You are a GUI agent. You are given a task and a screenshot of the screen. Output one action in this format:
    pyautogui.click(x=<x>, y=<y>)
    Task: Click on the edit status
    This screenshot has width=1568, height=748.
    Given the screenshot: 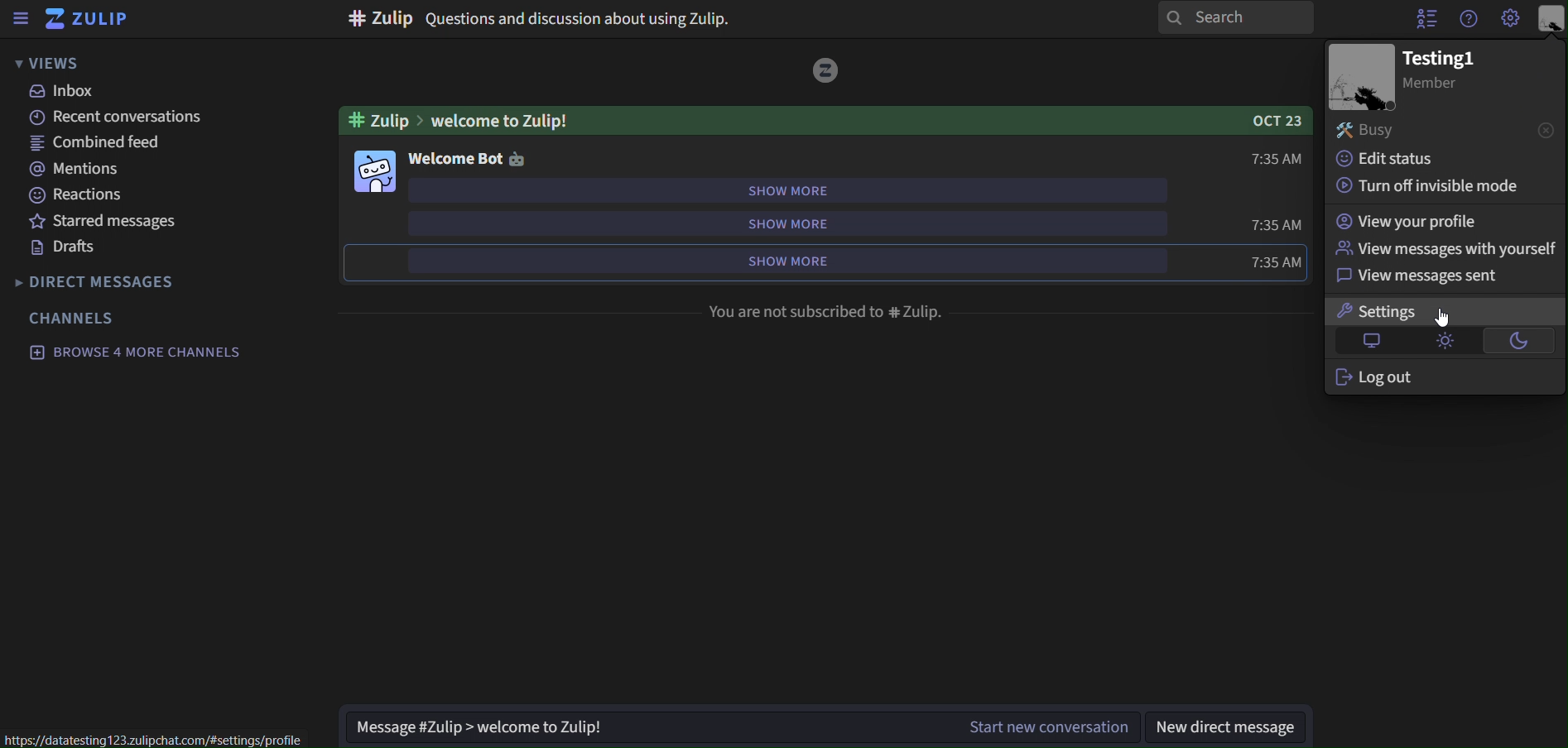 What is the action you would take?
    pyautogui.click(x=1391, y=160)
    